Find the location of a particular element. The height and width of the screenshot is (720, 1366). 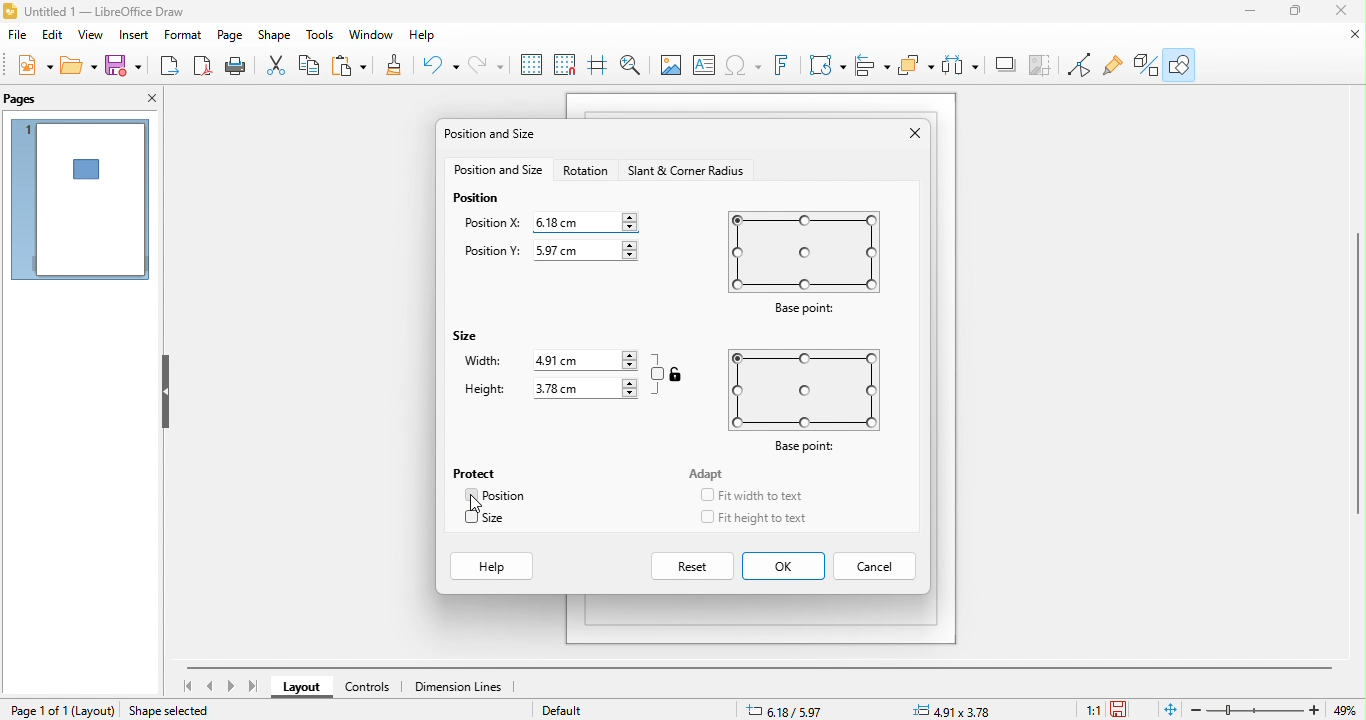

tools is located at coordinates (321, 37).